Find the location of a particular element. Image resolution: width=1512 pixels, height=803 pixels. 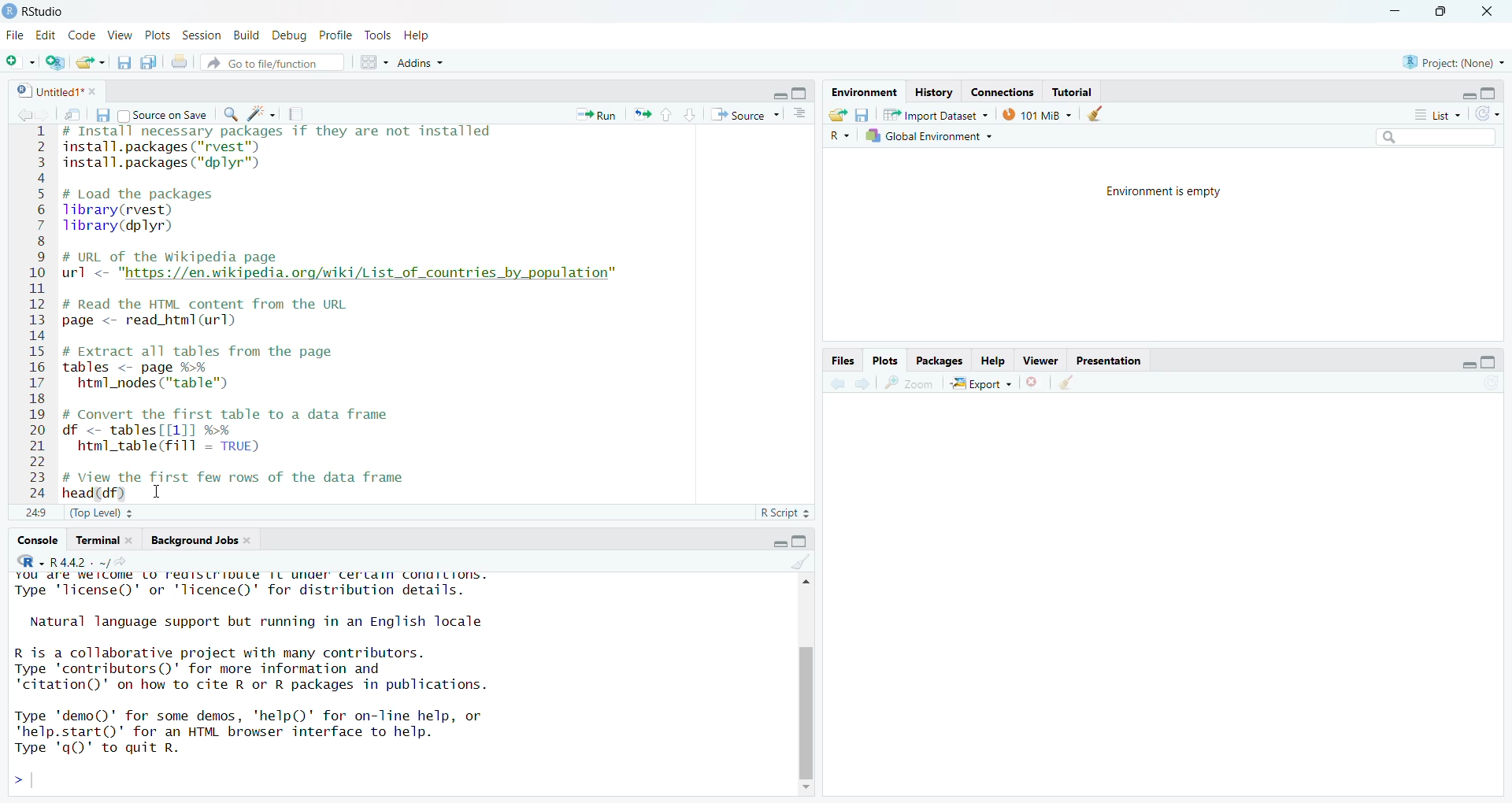

Source is located at coordinates (745, 114).